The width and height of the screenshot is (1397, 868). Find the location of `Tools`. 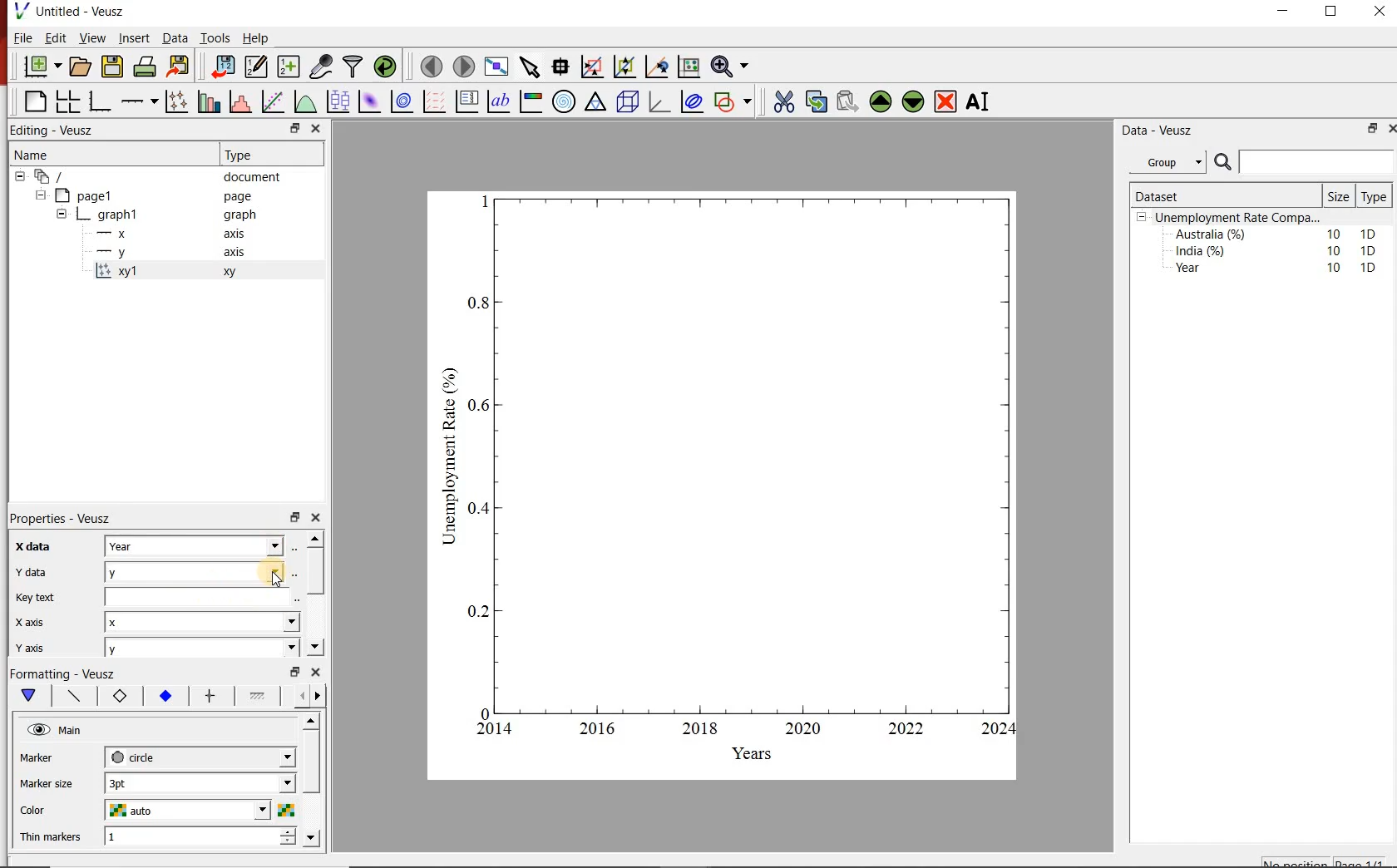

Tools is located at coordinates (216, 37).